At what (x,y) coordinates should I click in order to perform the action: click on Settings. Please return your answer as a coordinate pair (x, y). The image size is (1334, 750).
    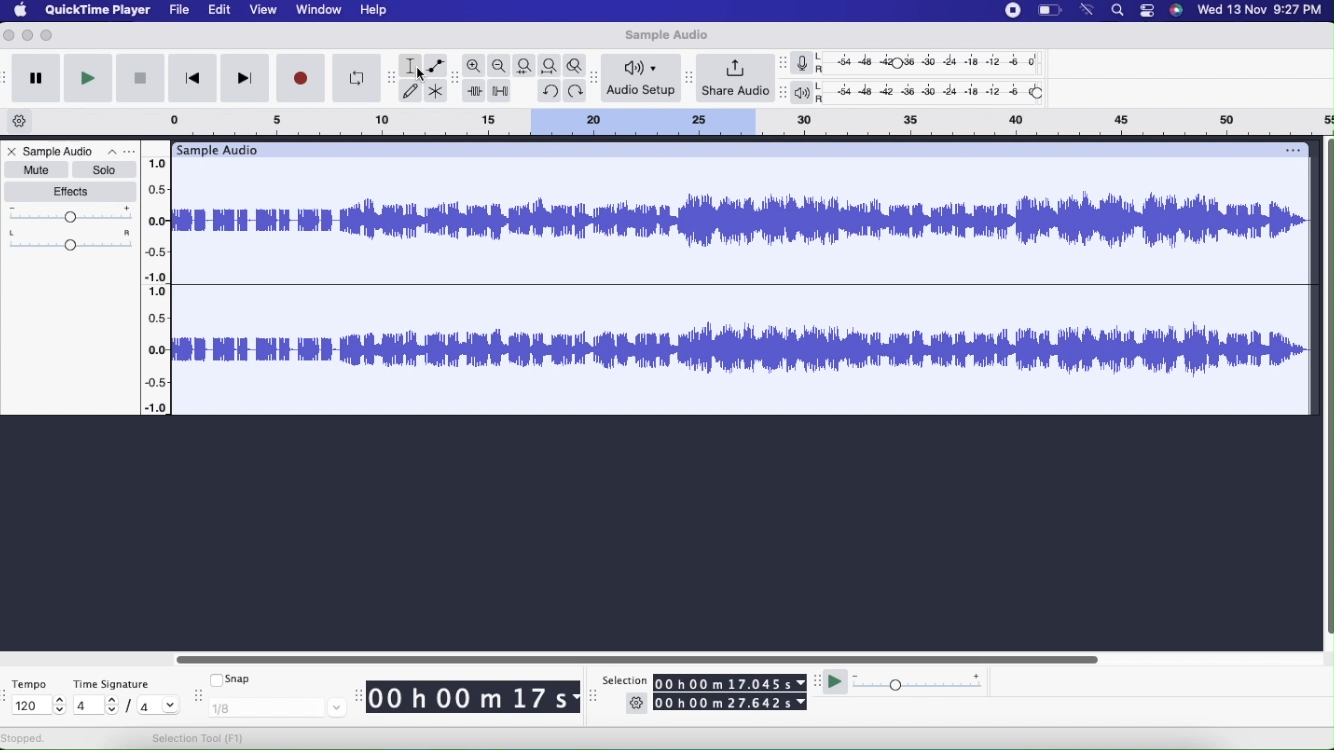
    Looking at the image, I should click on (637, 705).